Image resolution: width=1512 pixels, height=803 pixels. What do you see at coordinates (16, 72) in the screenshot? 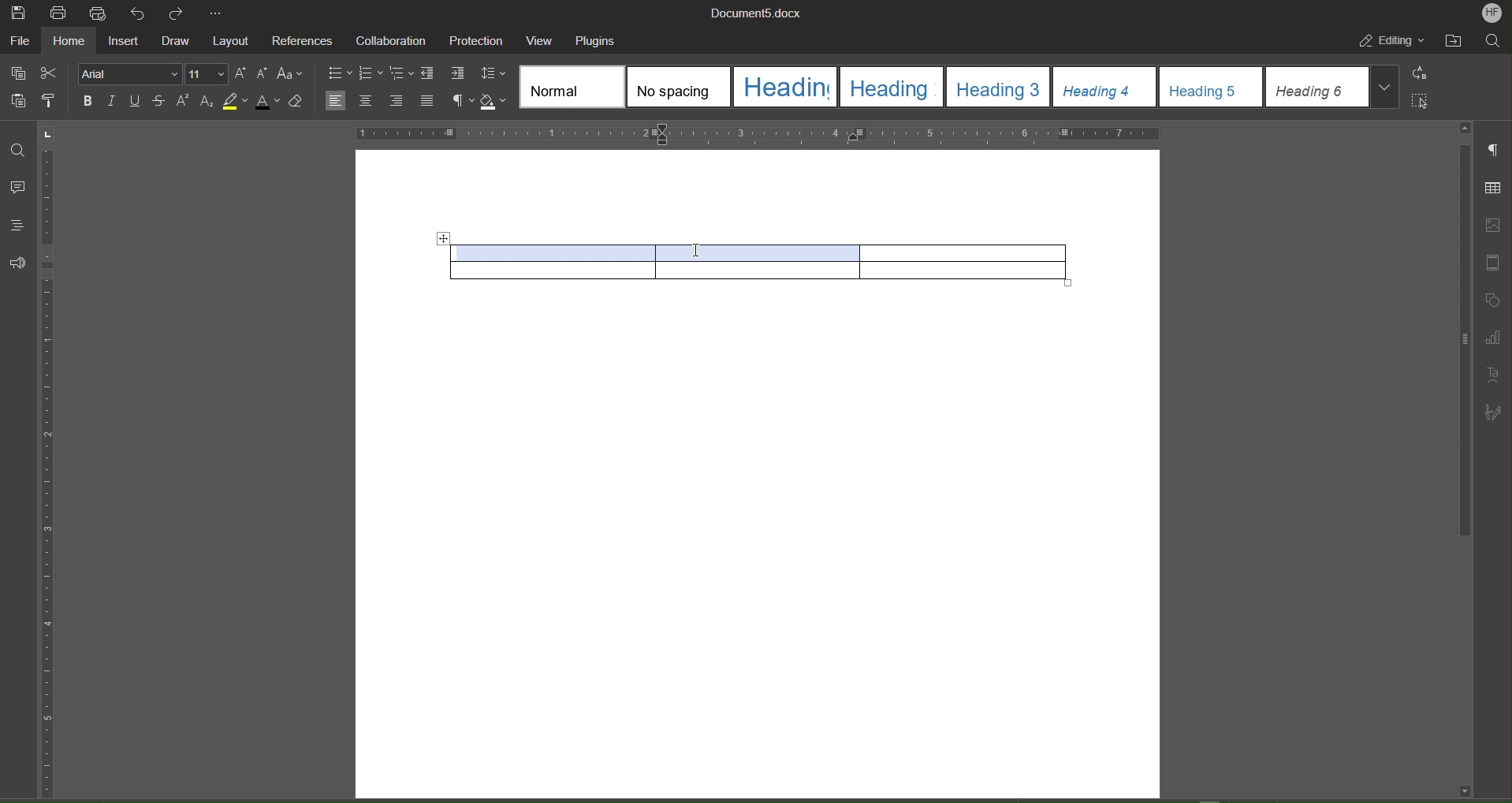
I see `Copy` at bounding box center [16, 72].